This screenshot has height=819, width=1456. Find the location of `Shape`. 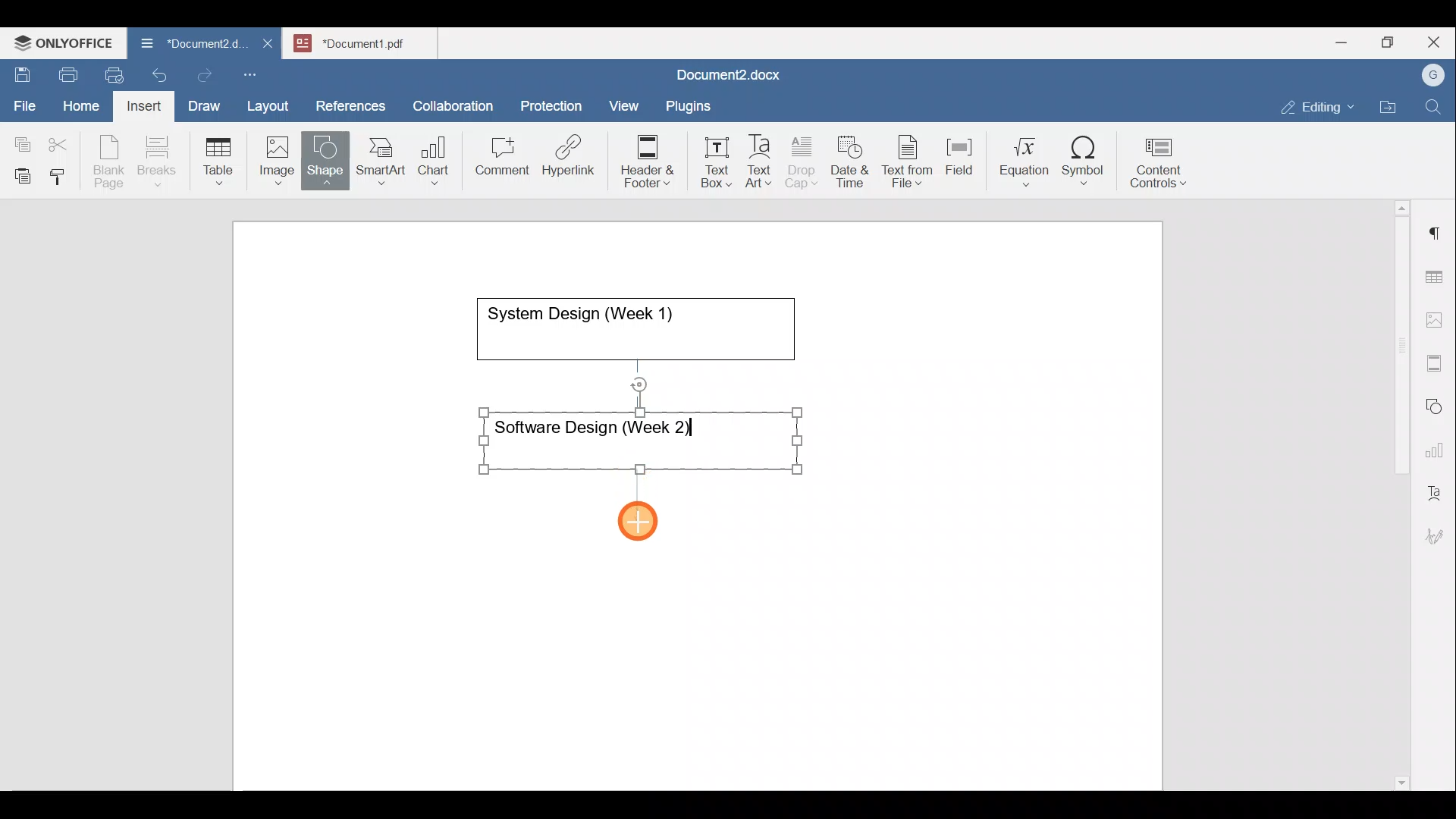

Shape is located at coordinates (327, 153).